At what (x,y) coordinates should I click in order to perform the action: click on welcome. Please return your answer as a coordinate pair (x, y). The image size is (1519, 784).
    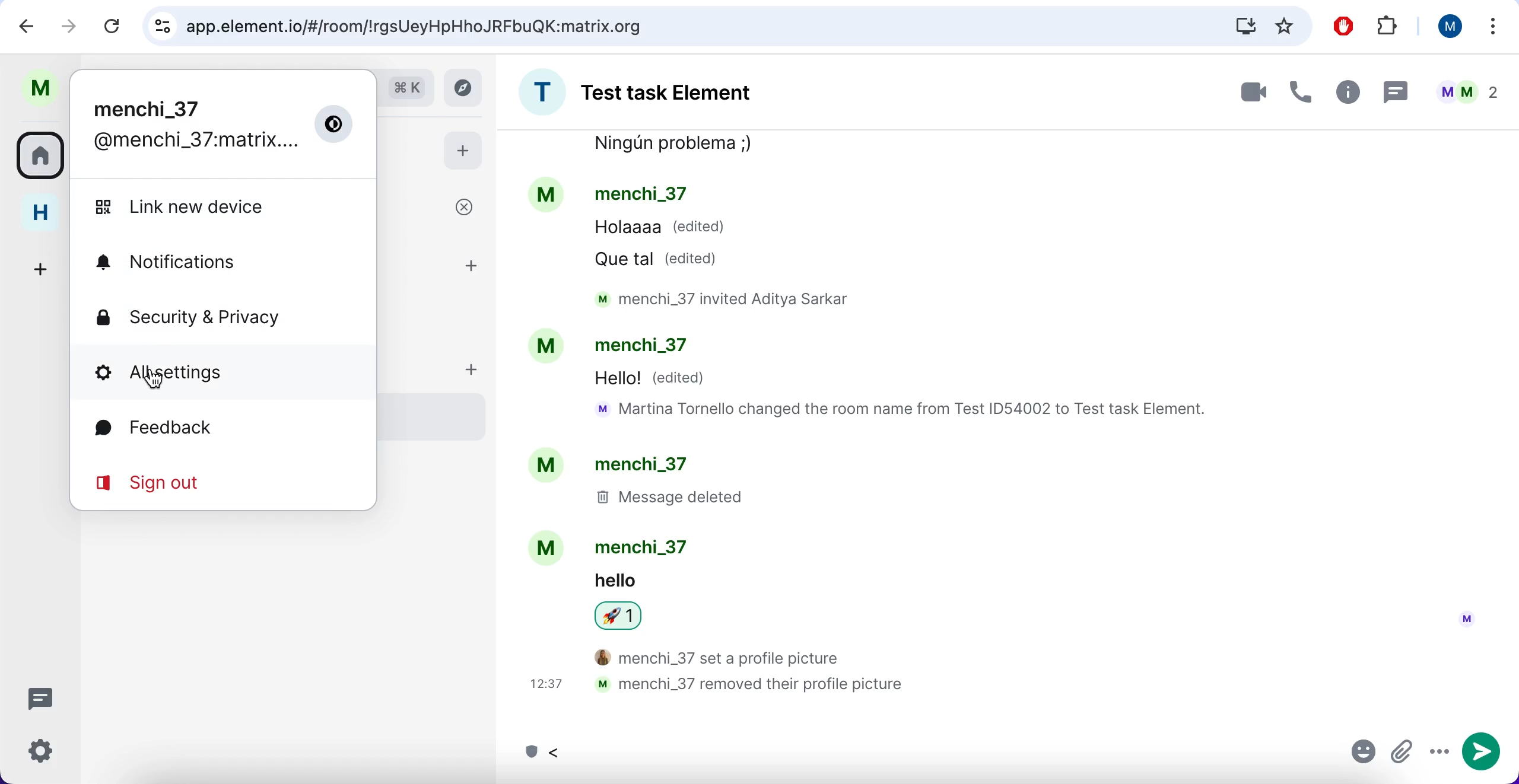
    Looking at the image, I should click on (435, 209).